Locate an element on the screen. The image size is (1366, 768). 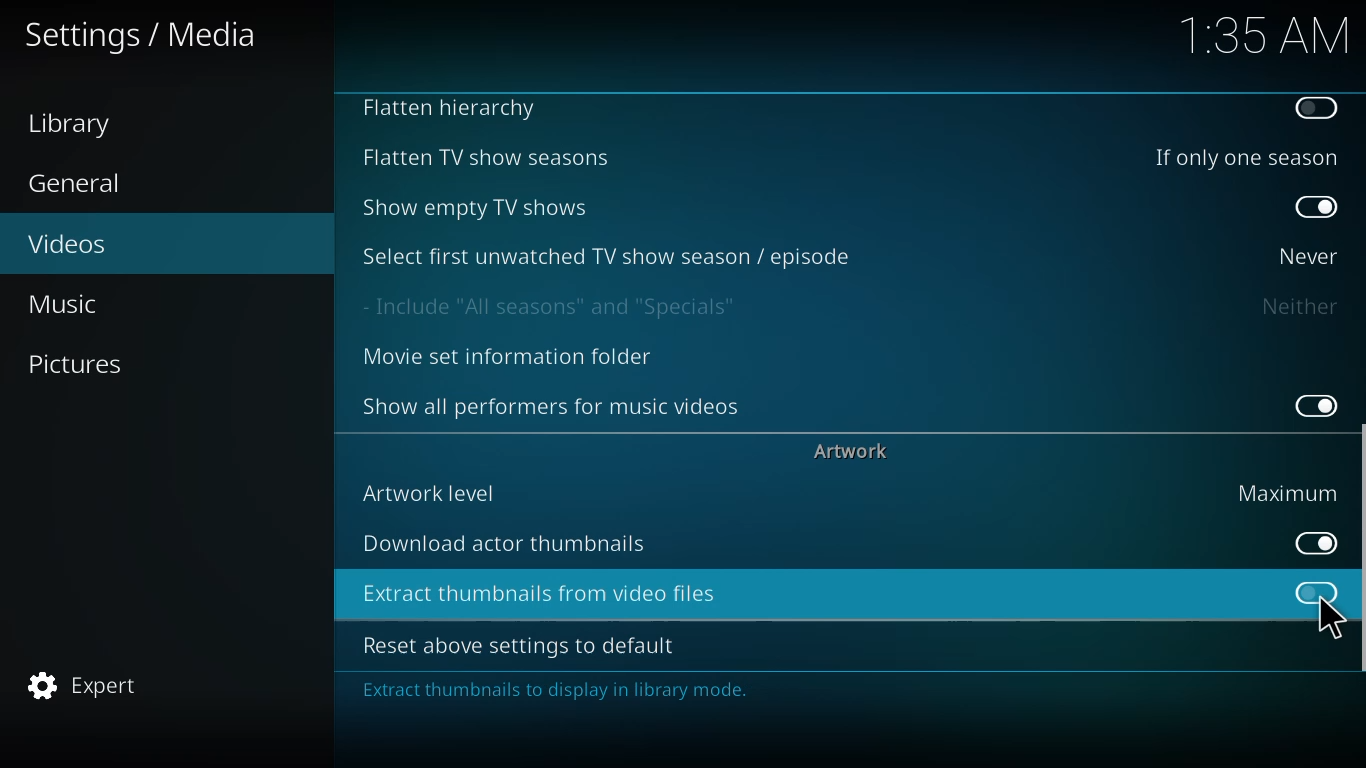
enable is located at coordinates (1315, 108).